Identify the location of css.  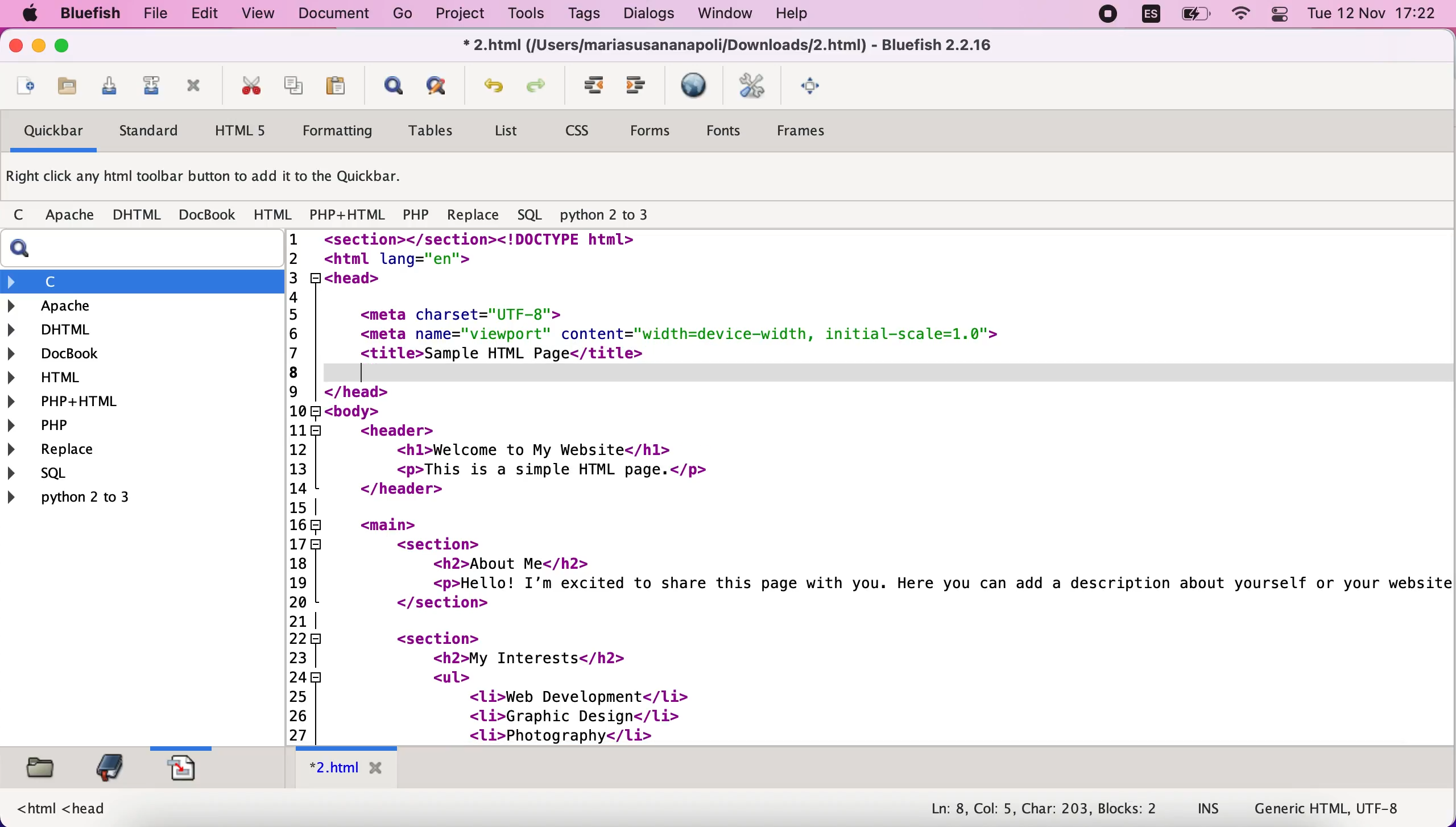
(585, 129).